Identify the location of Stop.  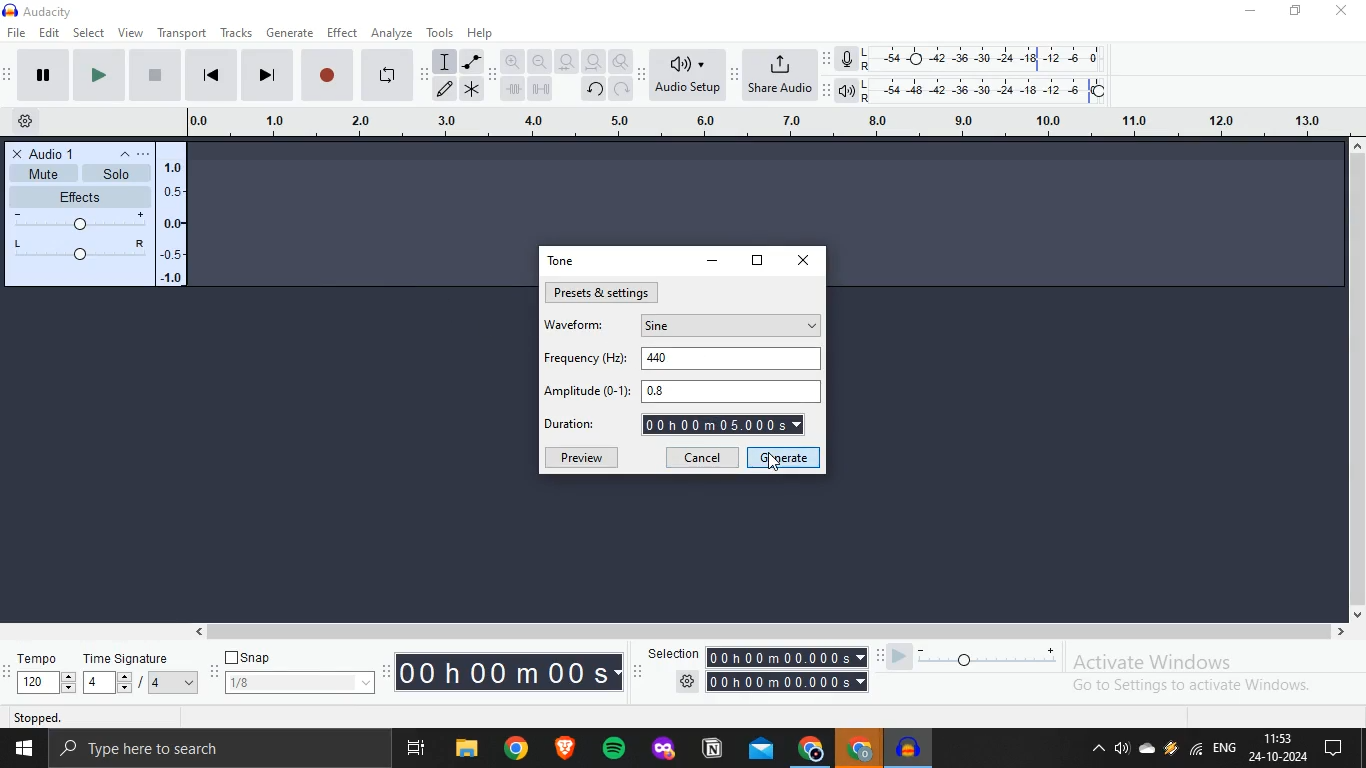
(154, 77).